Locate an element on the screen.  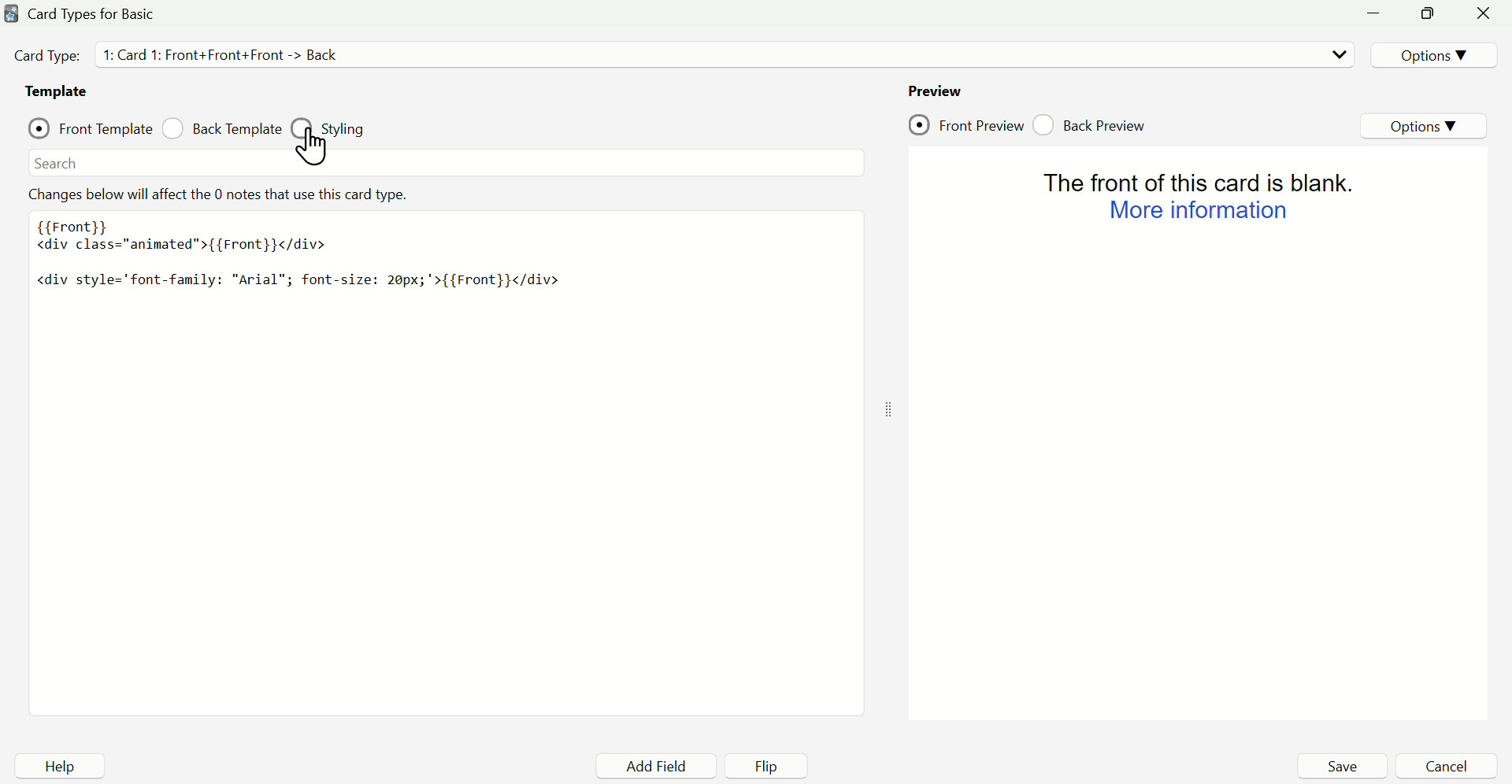
Cursor on Styling is located at coordinates (321, 149).